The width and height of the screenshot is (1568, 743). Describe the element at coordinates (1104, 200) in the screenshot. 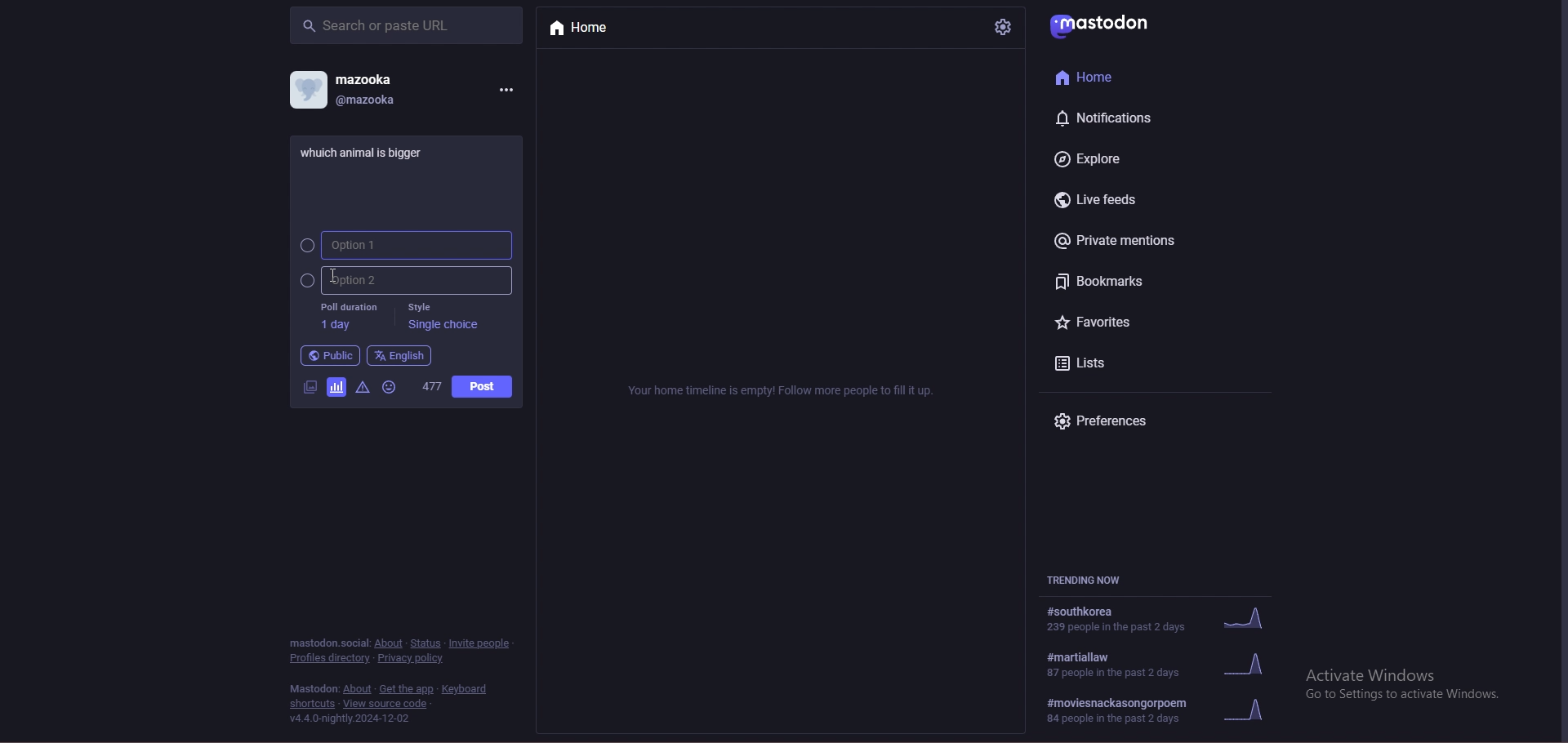

I see `live feeds` at that location.